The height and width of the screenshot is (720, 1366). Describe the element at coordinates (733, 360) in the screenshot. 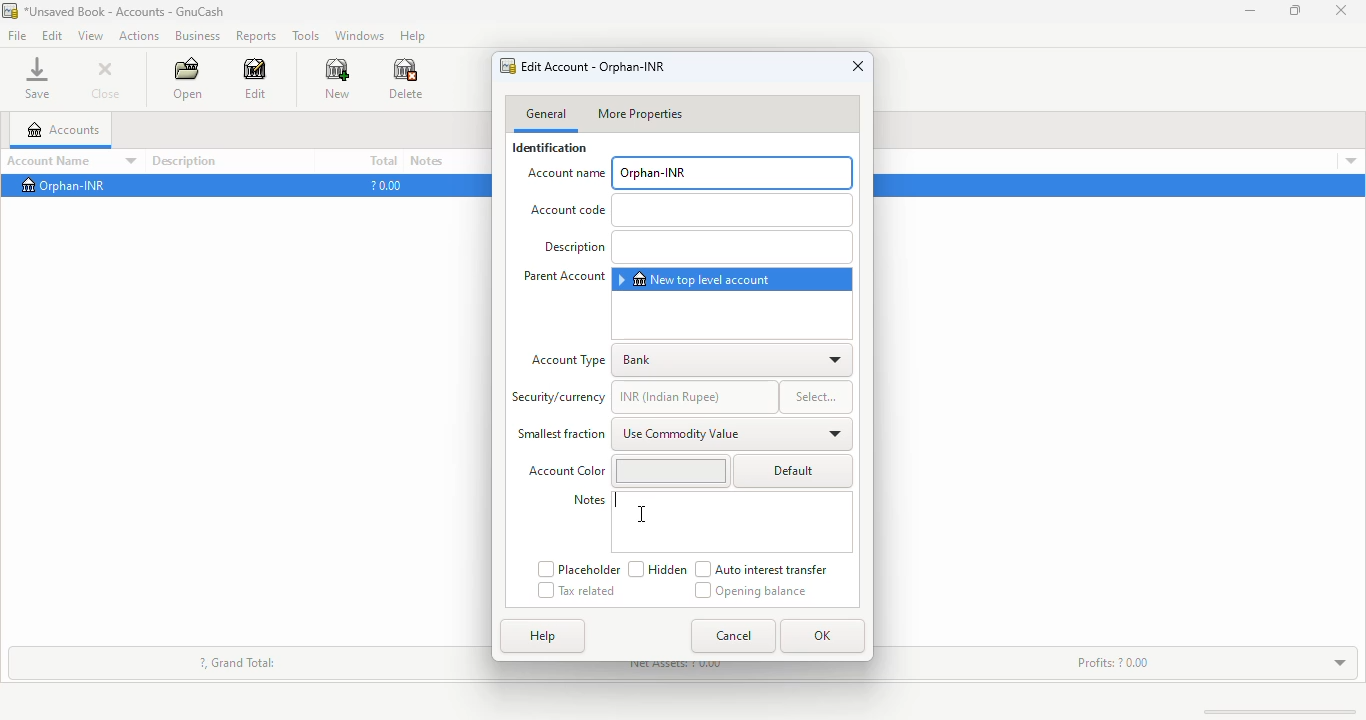

I see `bank` at that location.